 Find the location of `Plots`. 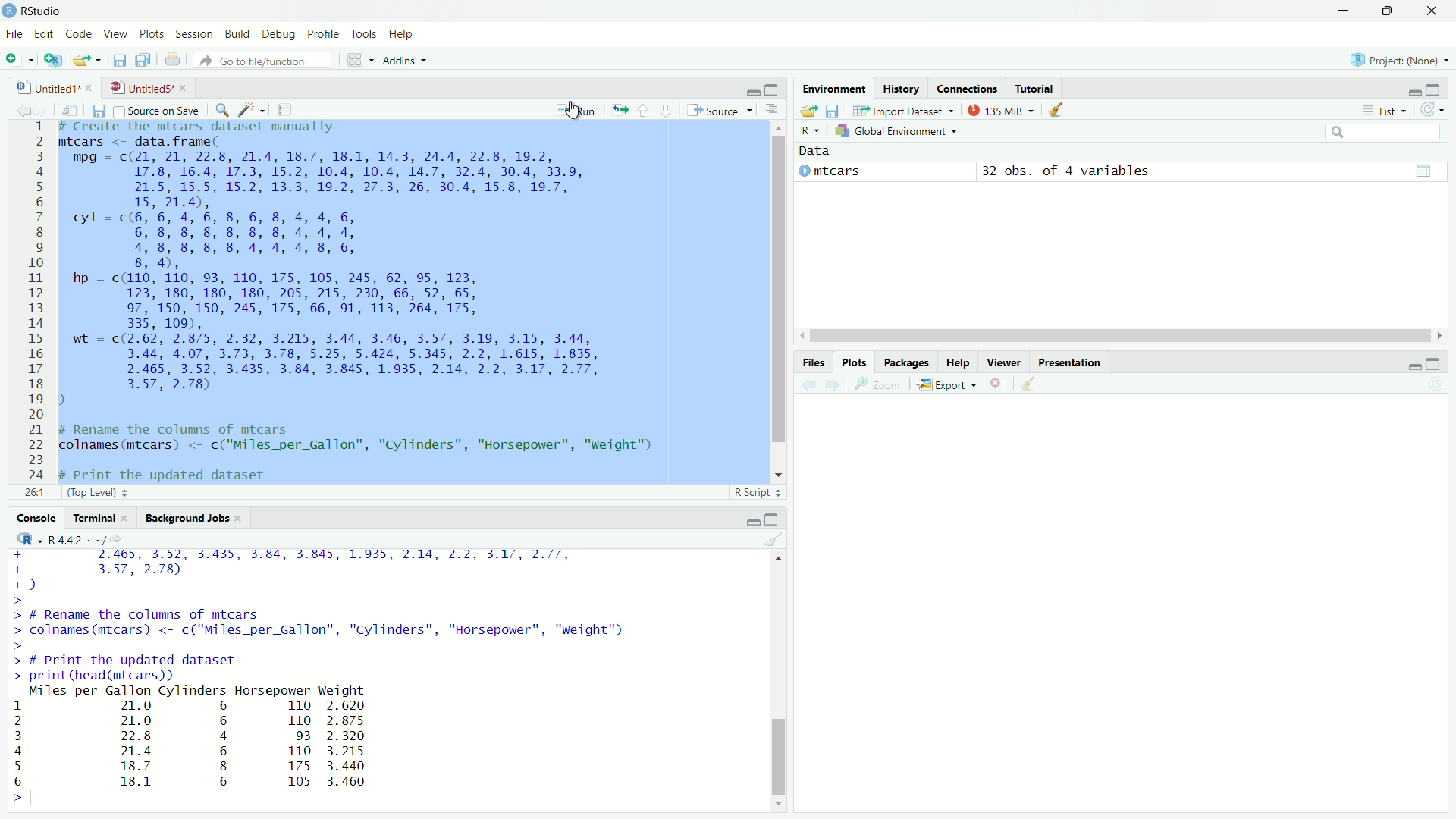

Plots is located at coordinates (150, 33).